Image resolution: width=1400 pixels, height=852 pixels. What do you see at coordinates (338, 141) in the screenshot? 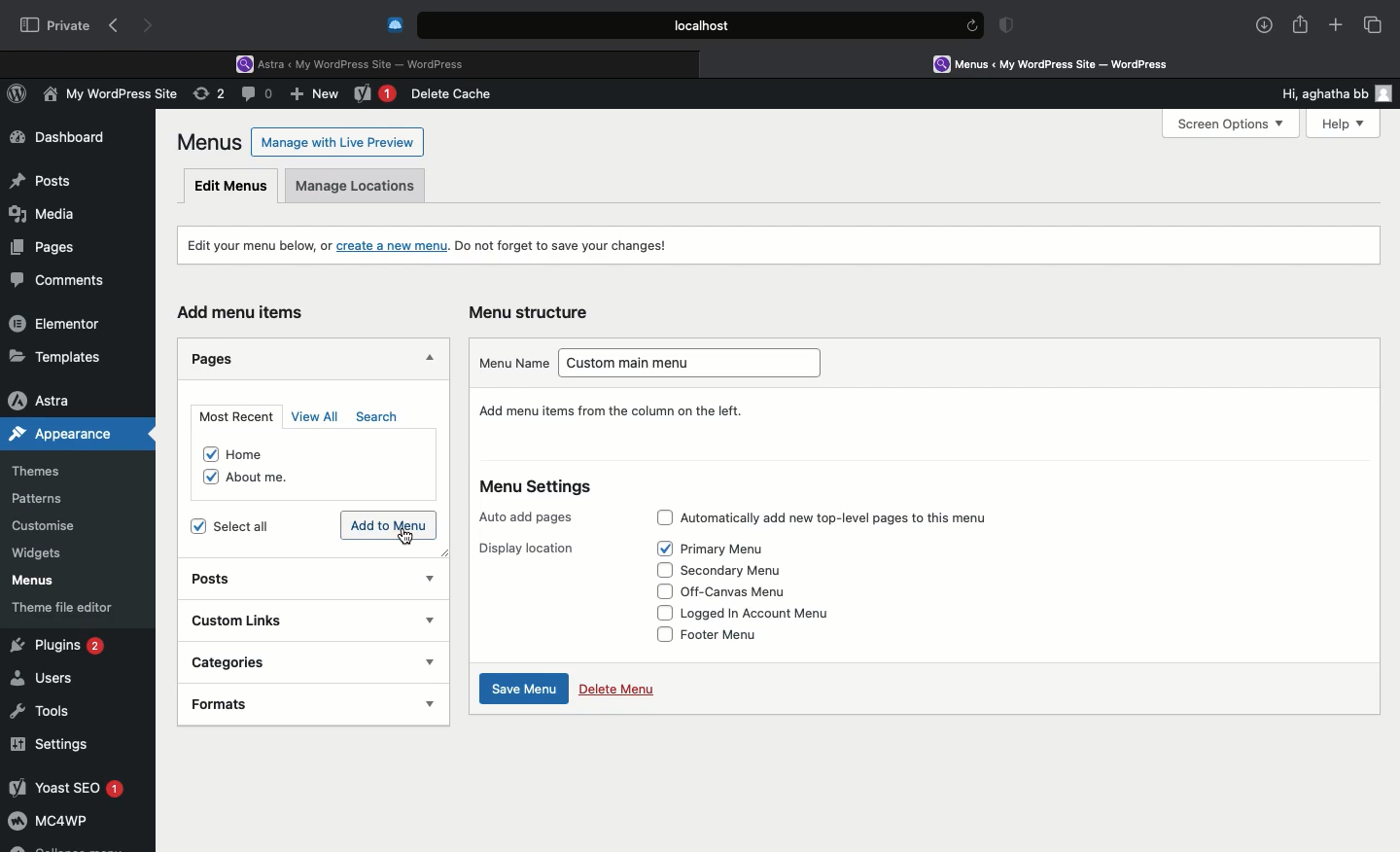
I see `Manage with Live Preview` at bounding box center [338, 141].